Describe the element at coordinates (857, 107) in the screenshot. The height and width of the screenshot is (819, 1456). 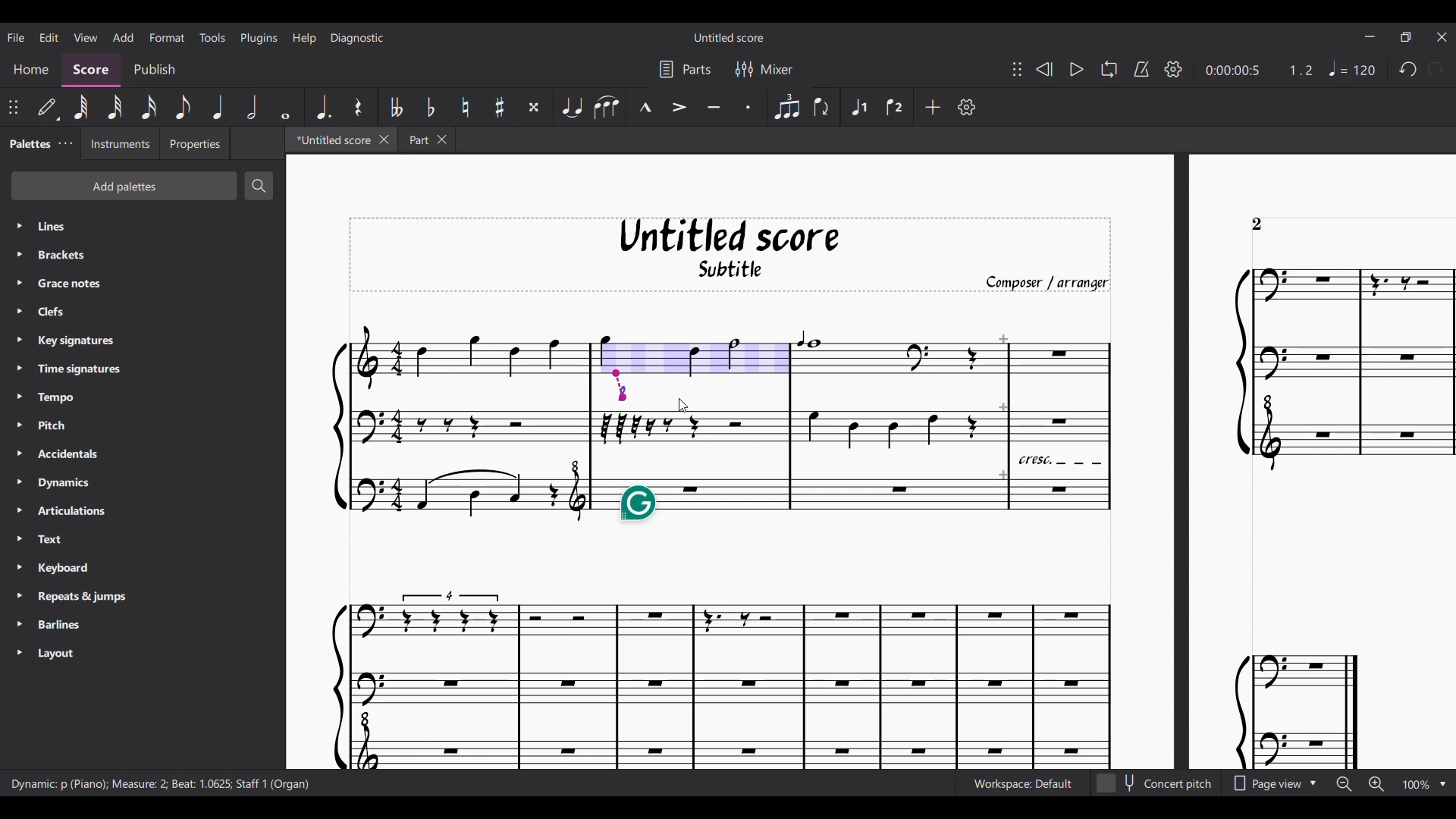
I see `Voice 1` at that location.